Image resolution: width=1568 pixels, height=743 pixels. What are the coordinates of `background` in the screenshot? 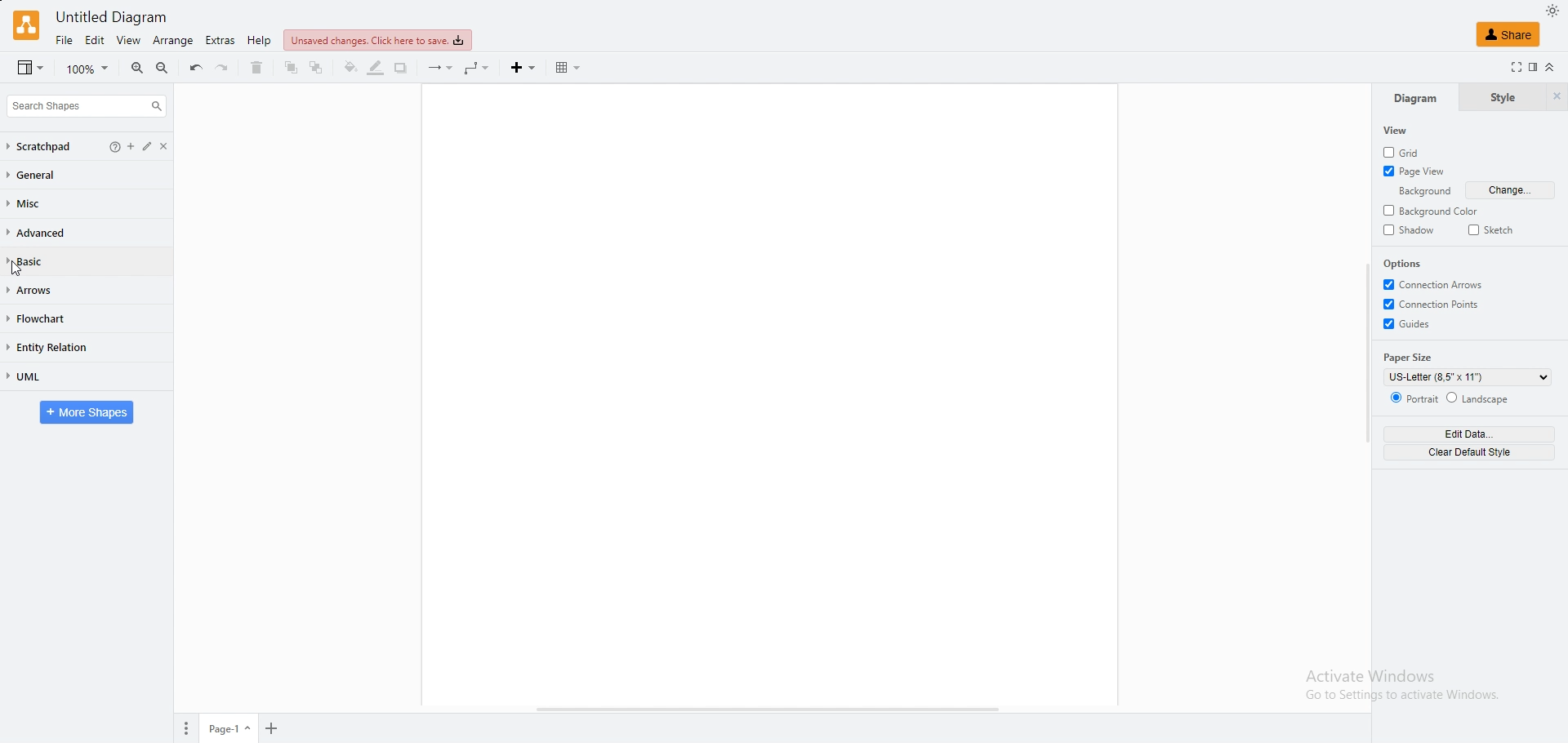 It's located at (1419, 192).